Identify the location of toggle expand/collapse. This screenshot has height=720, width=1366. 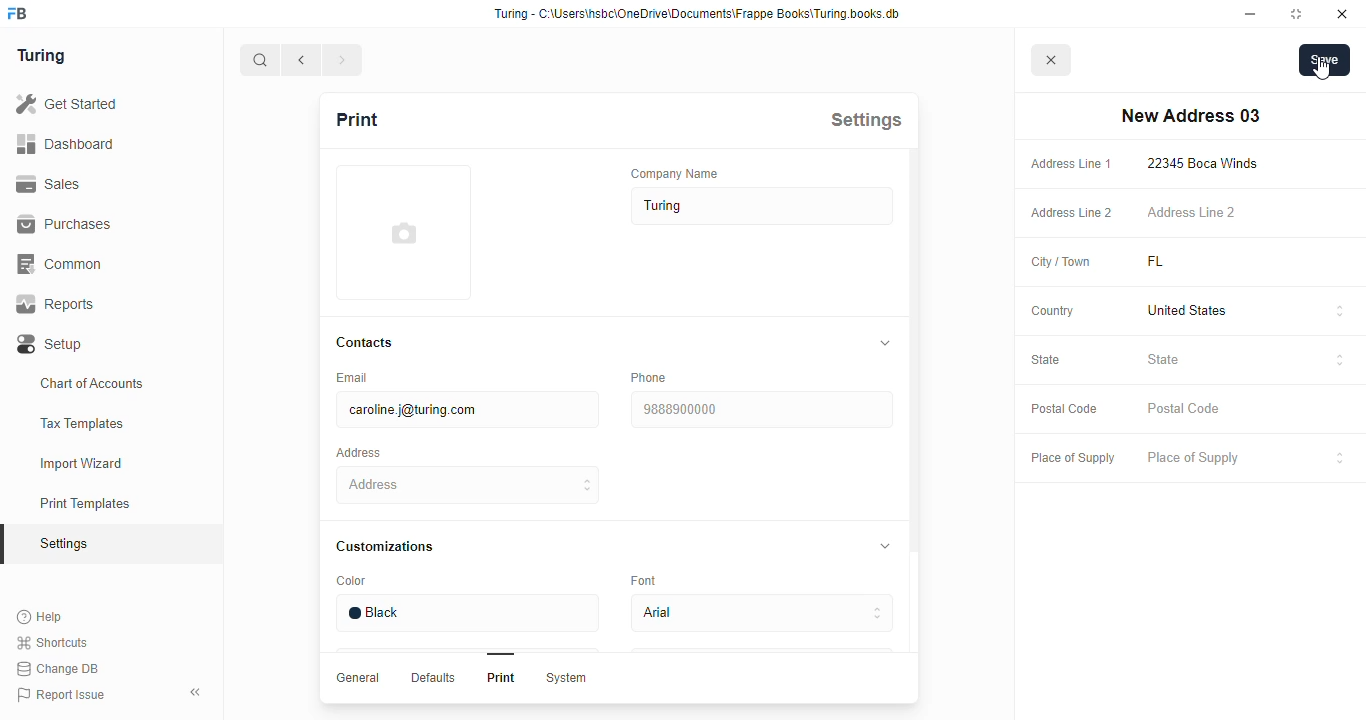
(881, 343).